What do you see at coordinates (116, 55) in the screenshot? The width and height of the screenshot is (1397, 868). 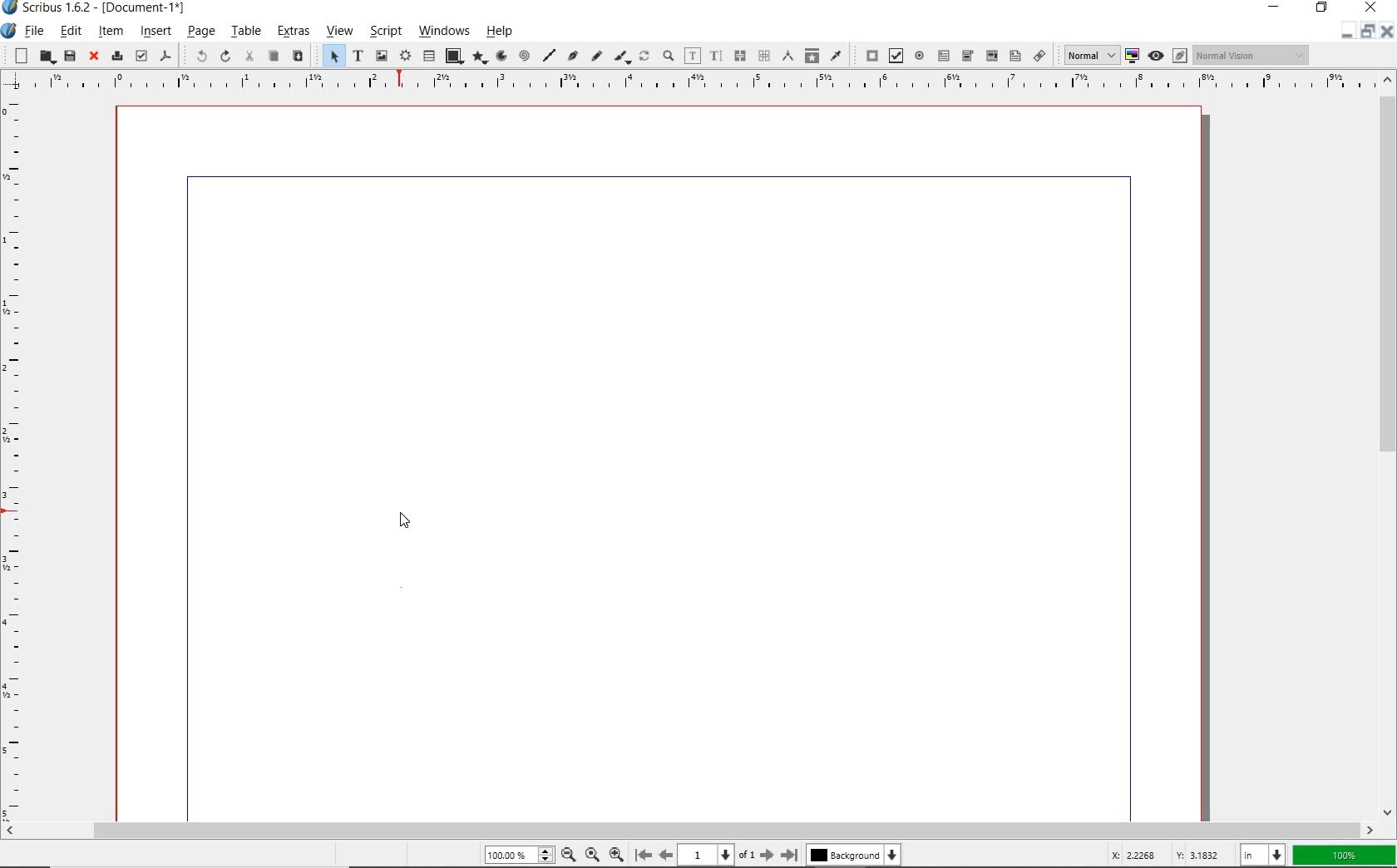 I see `print` at bounding box center [116, 55].